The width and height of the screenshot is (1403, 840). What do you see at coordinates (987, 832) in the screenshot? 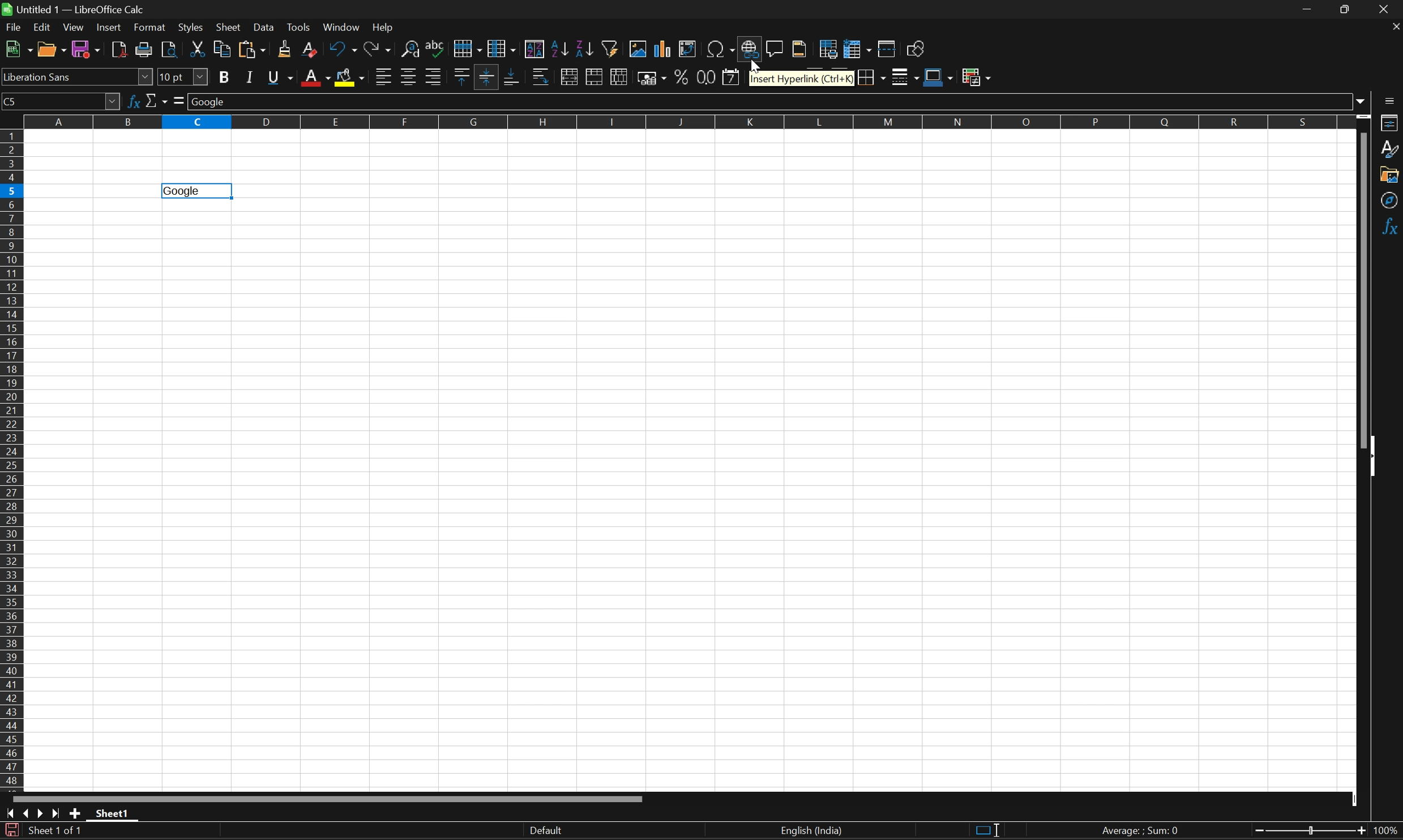
I see `Standard selection. Click to change selection mode.` at bounding box center [987, 832].